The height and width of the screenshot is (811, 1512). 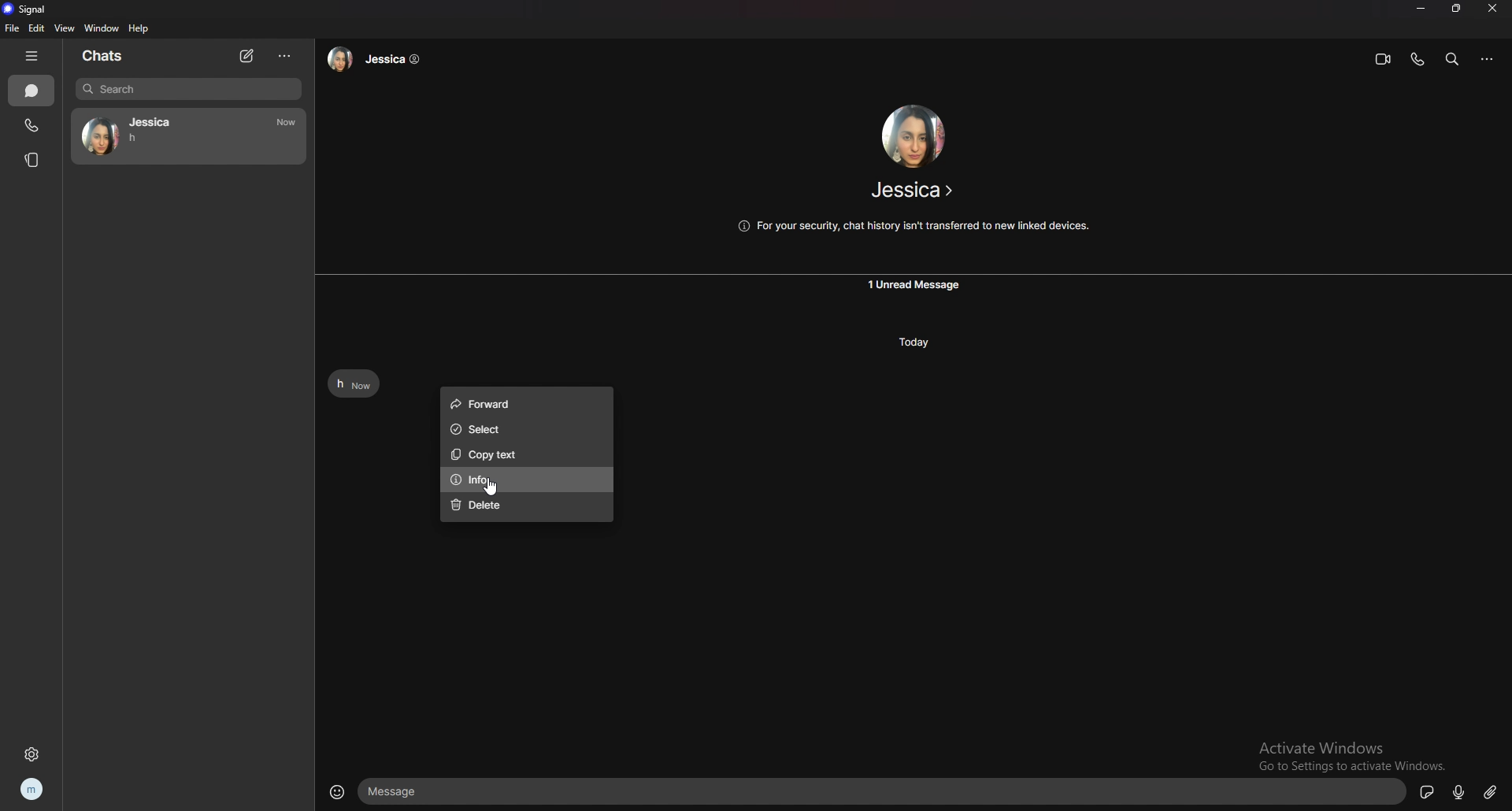 What do you see at coordinates (380, 58) in the screenshot?
I see `jessica` at bounding box center [380, 58].